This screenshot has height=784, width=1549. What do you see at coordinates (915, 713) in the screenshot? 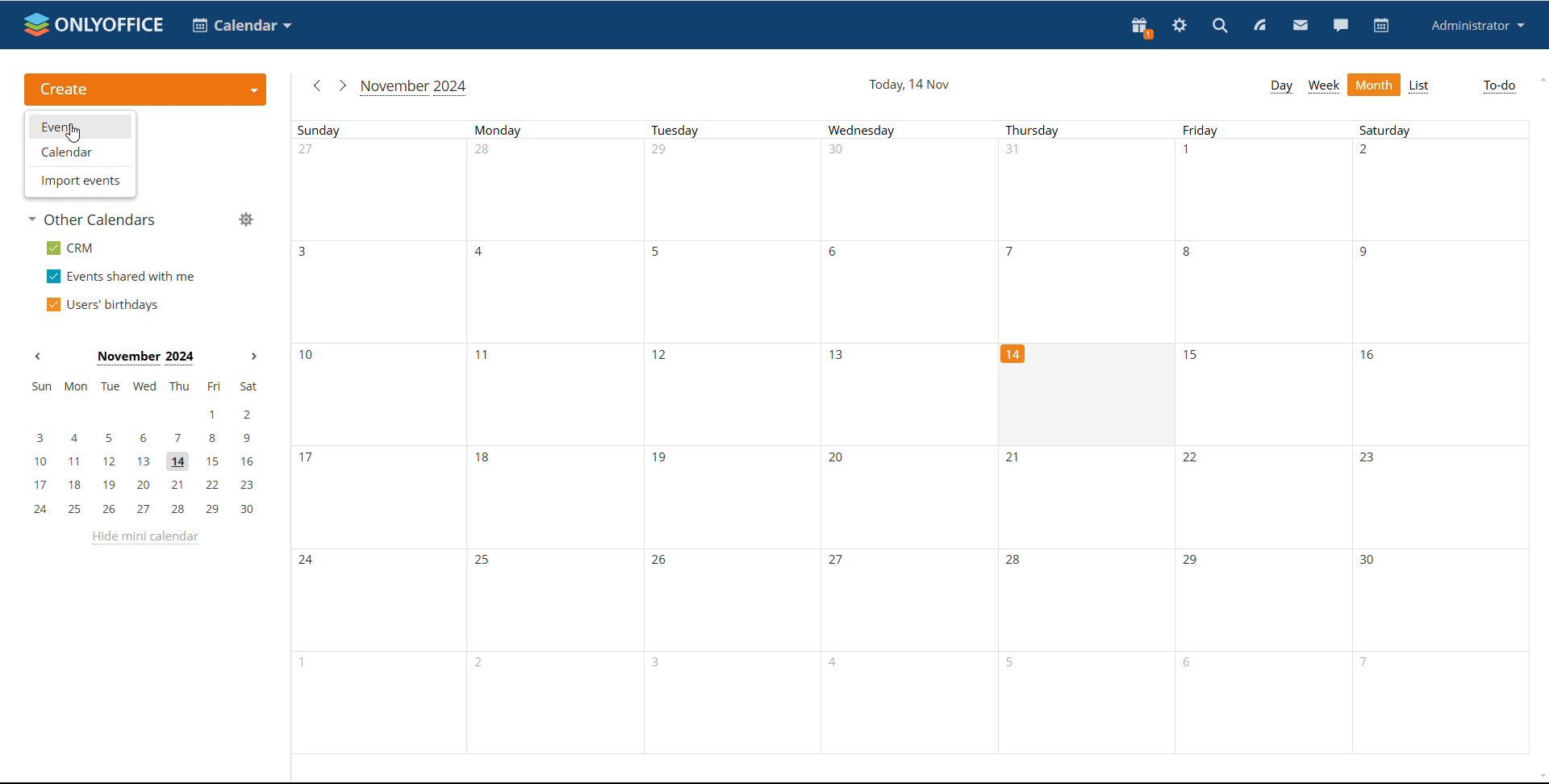
I see `Different dates of the month` at bounding box center [915, 713].